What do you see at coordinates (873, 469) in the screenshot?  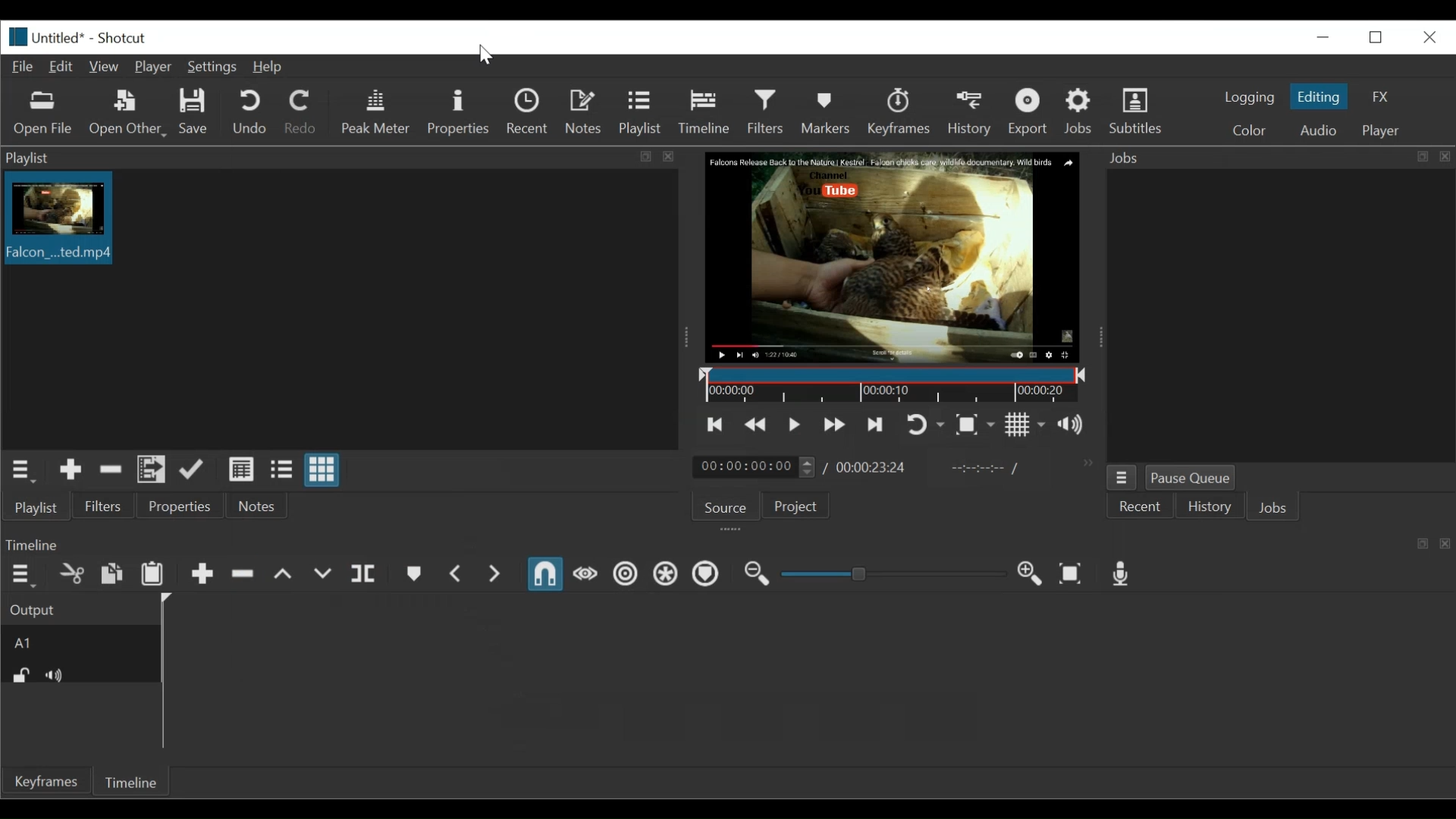 I see `00:00:23:24` at bounding box center [873, 469].